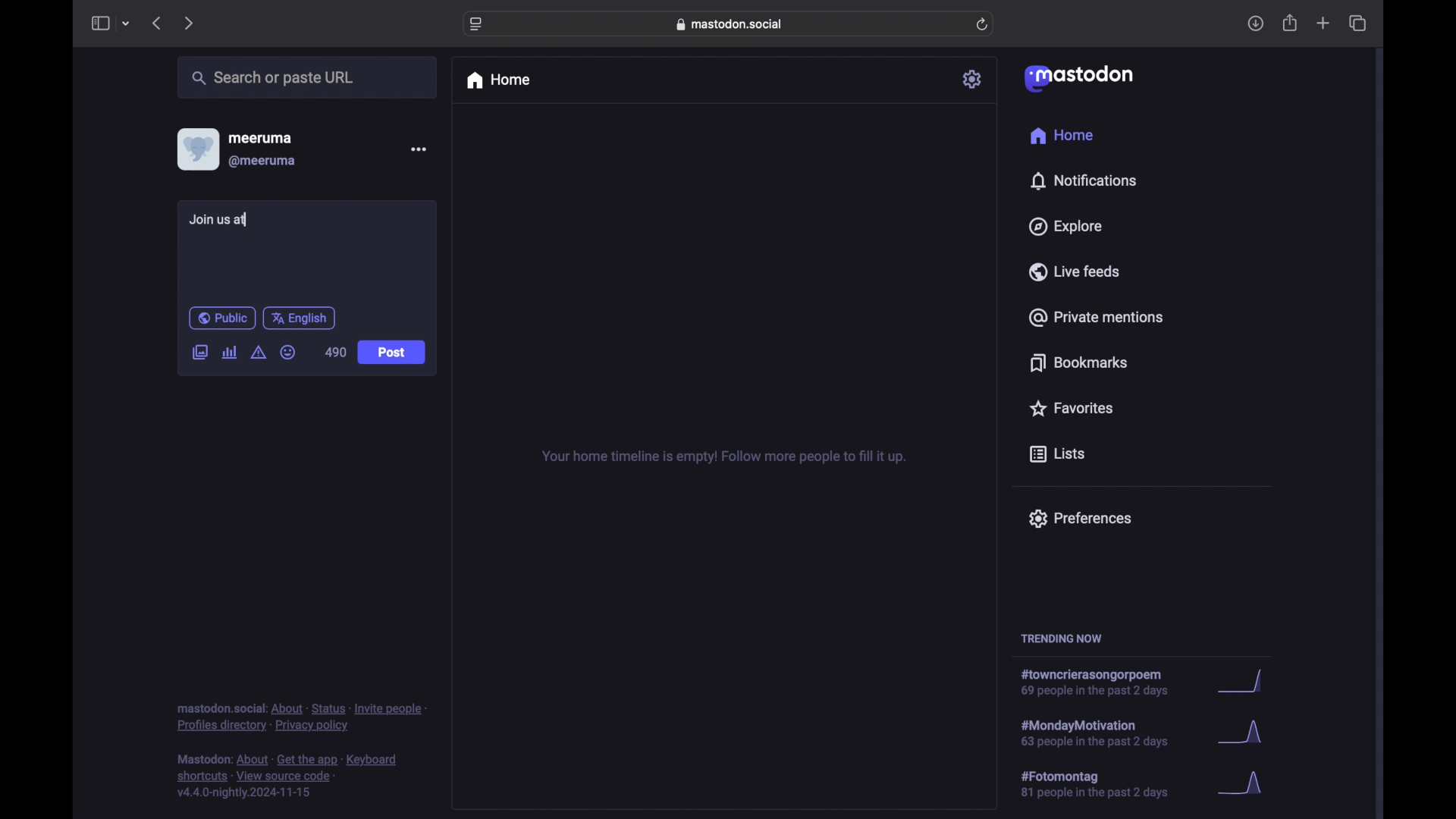 This screenshot has width=1456, height=819. I want to click on add content warning, so click(258, 353).